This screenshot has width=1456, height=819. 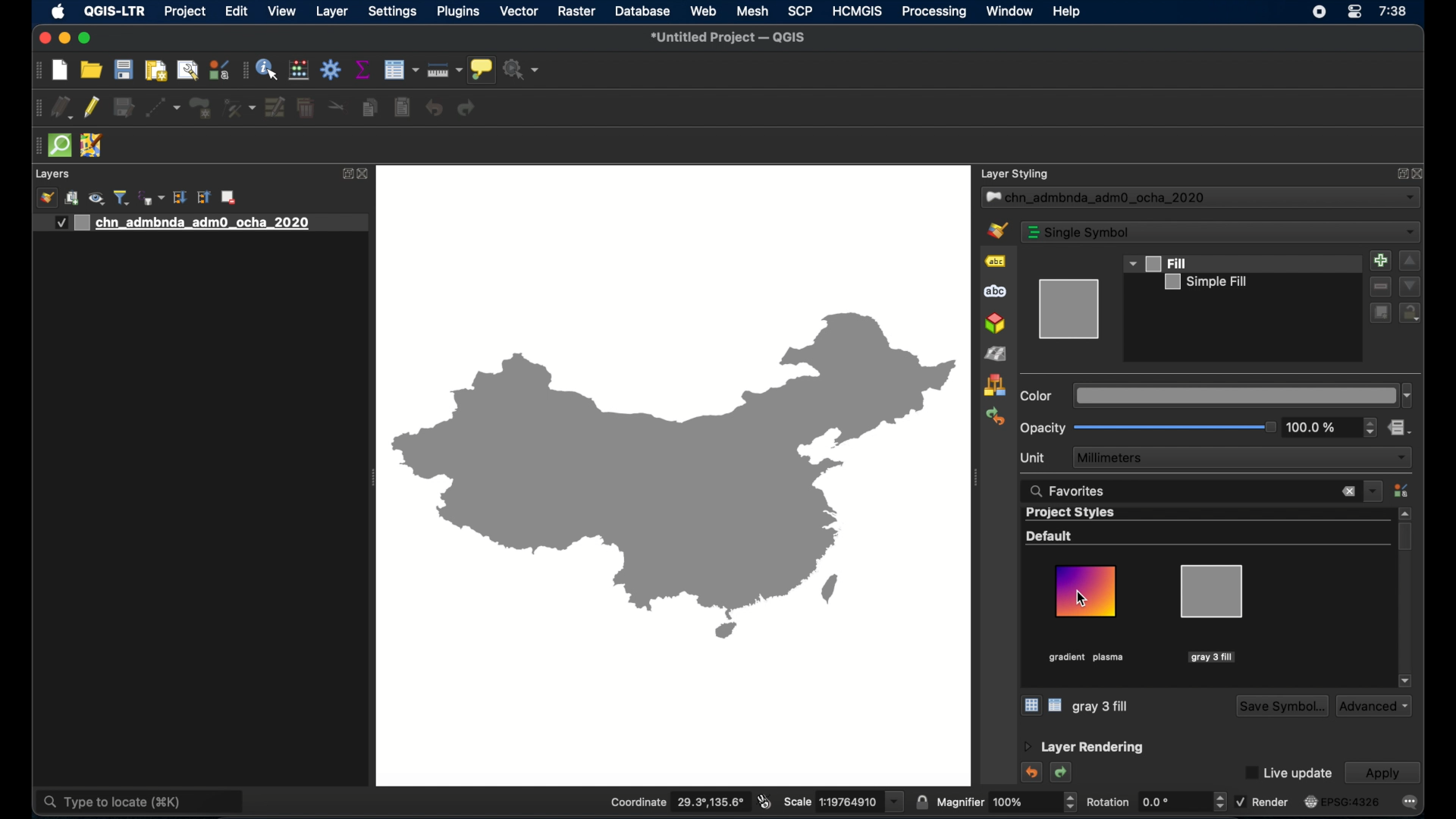 What do you see at coordinates (1401, 490) in the screenshot?
I see `style manager` at bounding box center [1401, 490].